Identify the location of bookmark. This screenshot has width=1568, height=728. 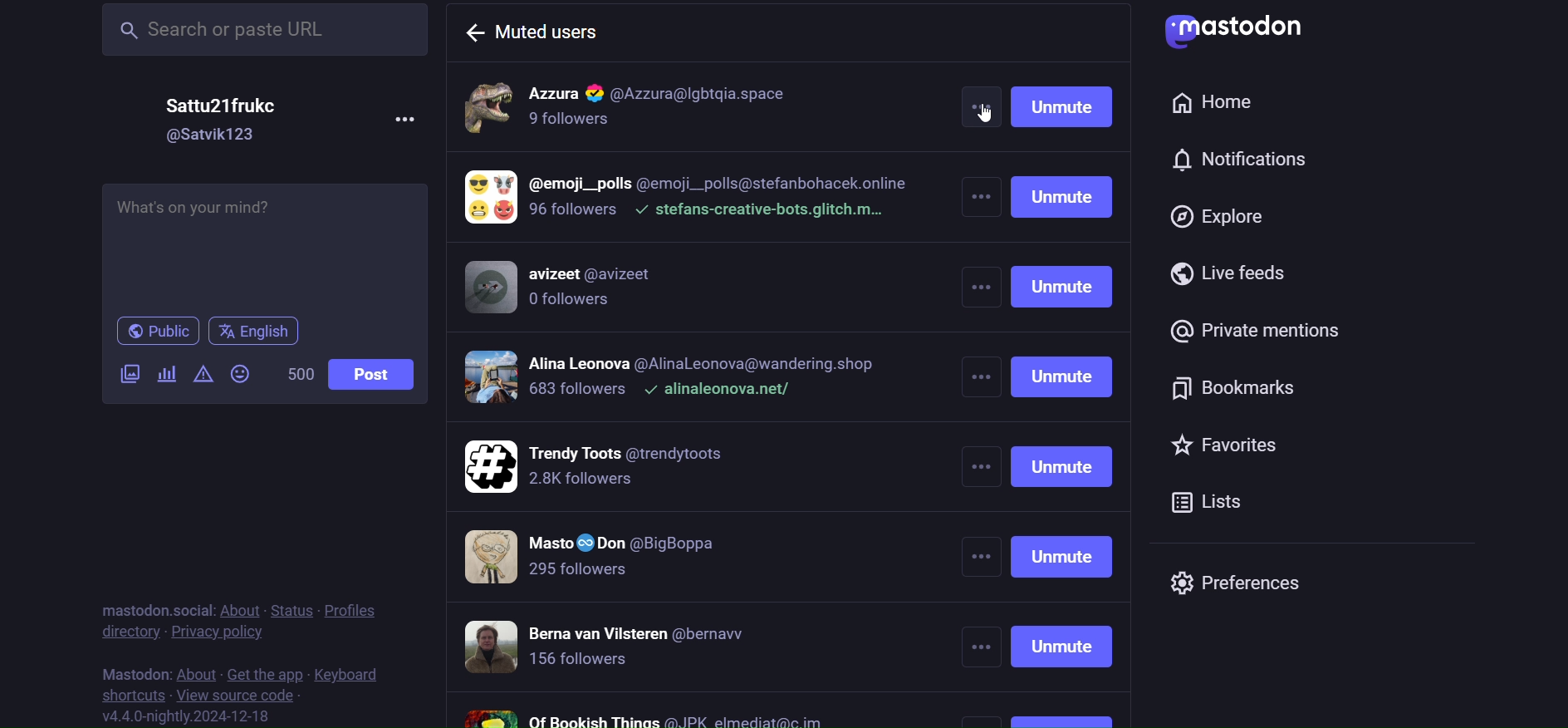
(1240, 386).